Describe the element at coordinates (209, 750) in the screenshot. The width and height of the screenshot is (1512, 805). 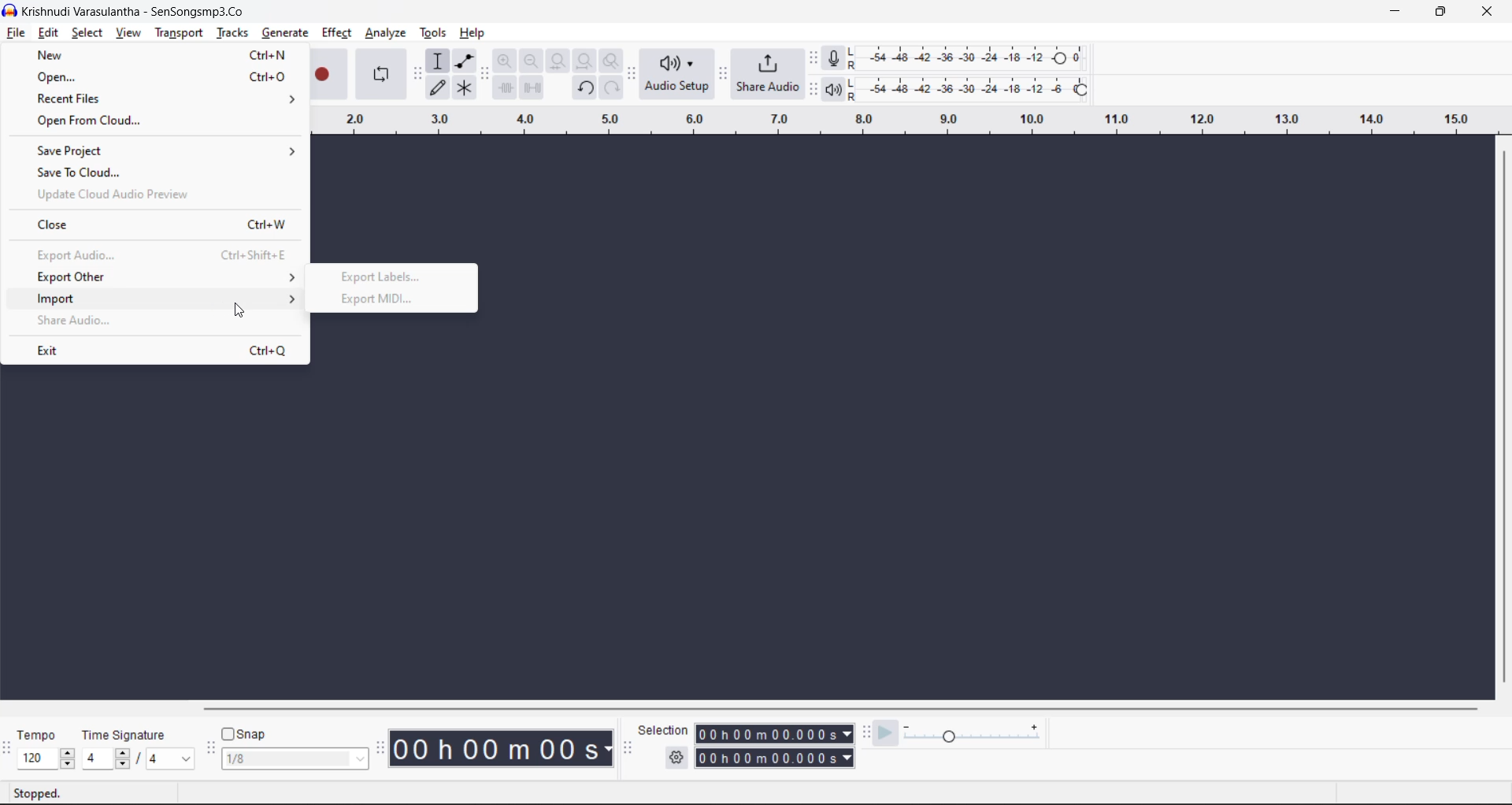
I see `snapping tool bar` at that location.